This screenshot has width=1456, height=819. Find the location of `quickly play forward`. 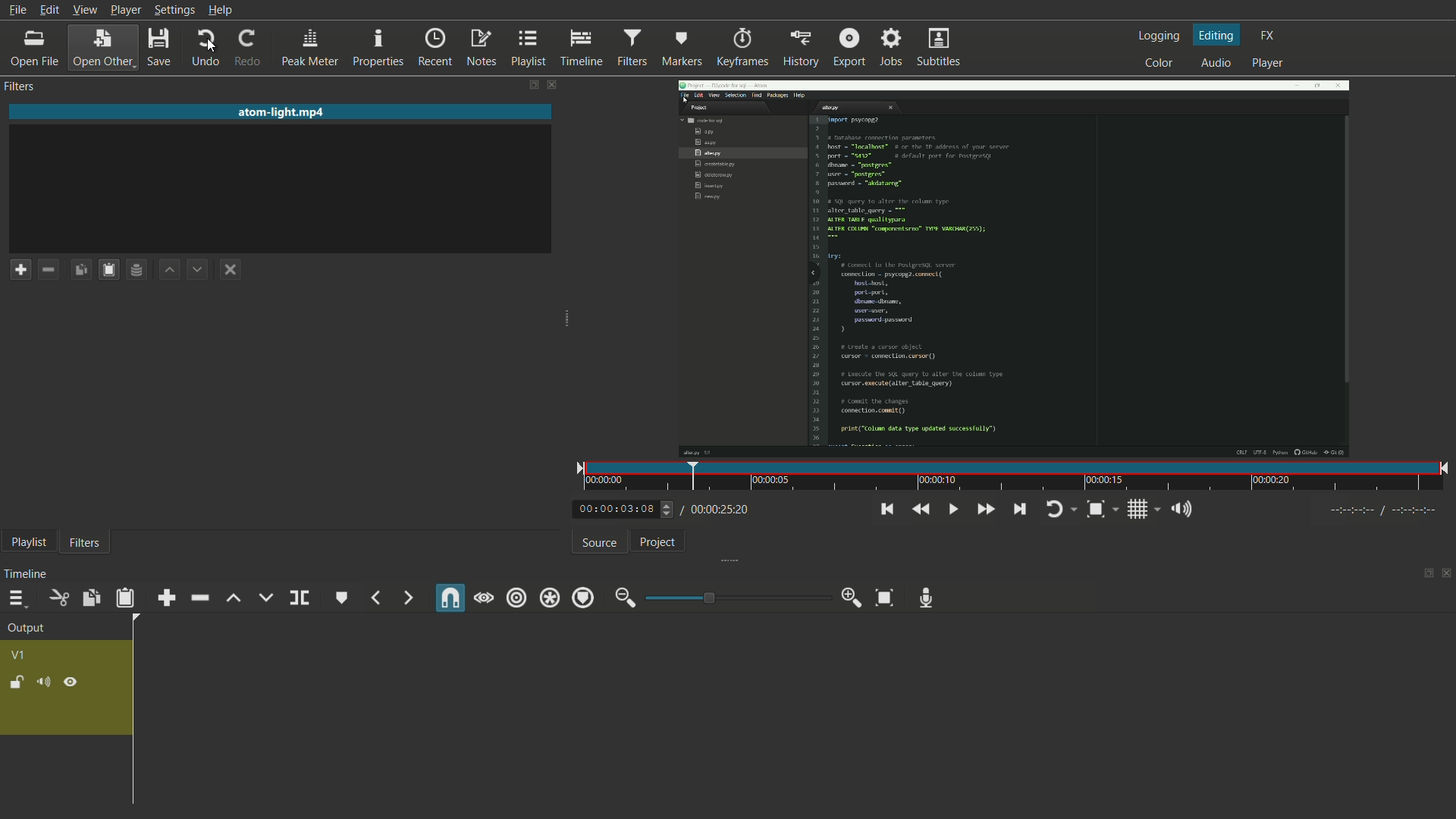

quickly play forward is located at coordinates (986, 510).